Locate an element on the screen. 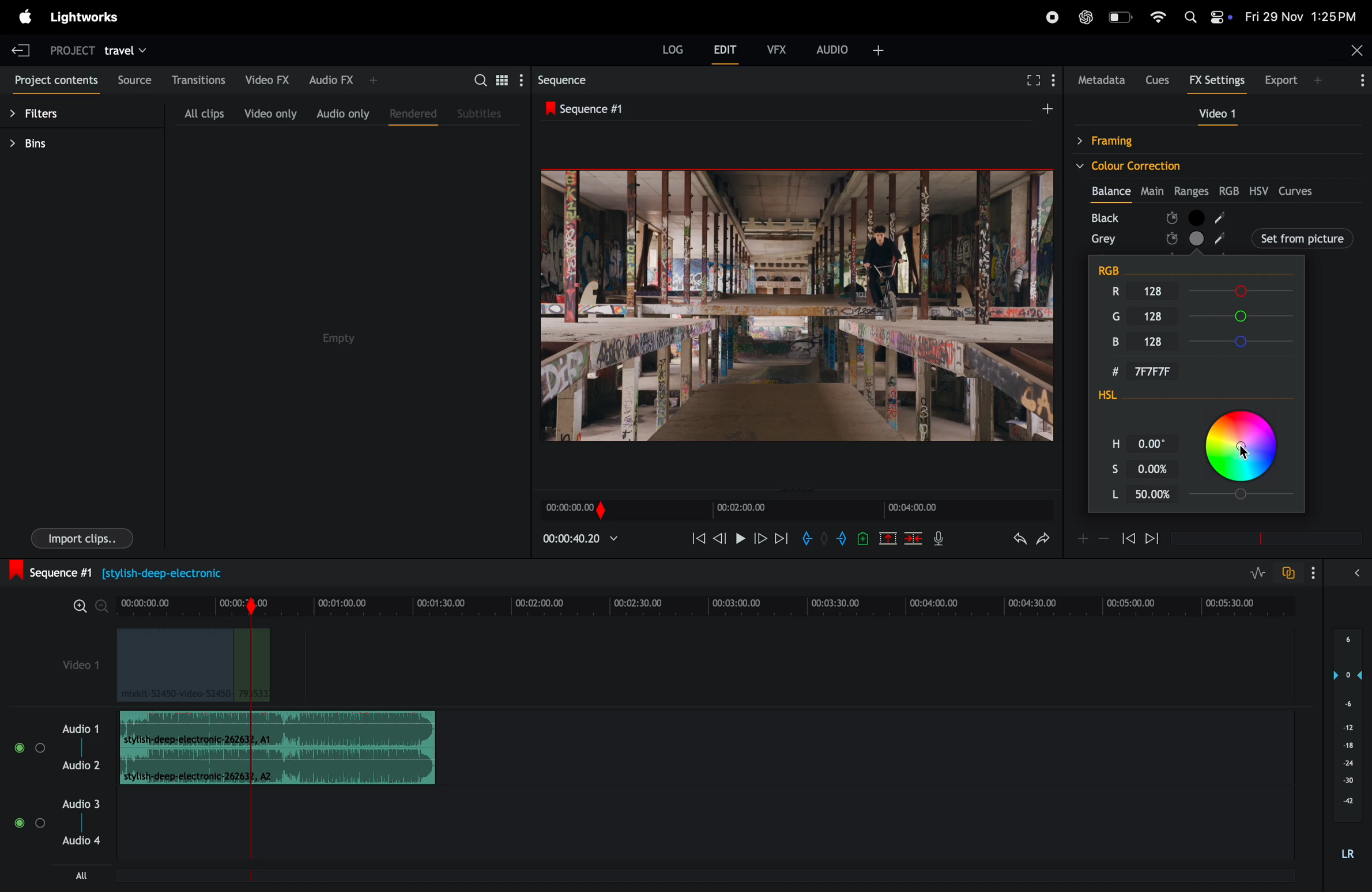  previous frame is located at coordinates (722, 537).